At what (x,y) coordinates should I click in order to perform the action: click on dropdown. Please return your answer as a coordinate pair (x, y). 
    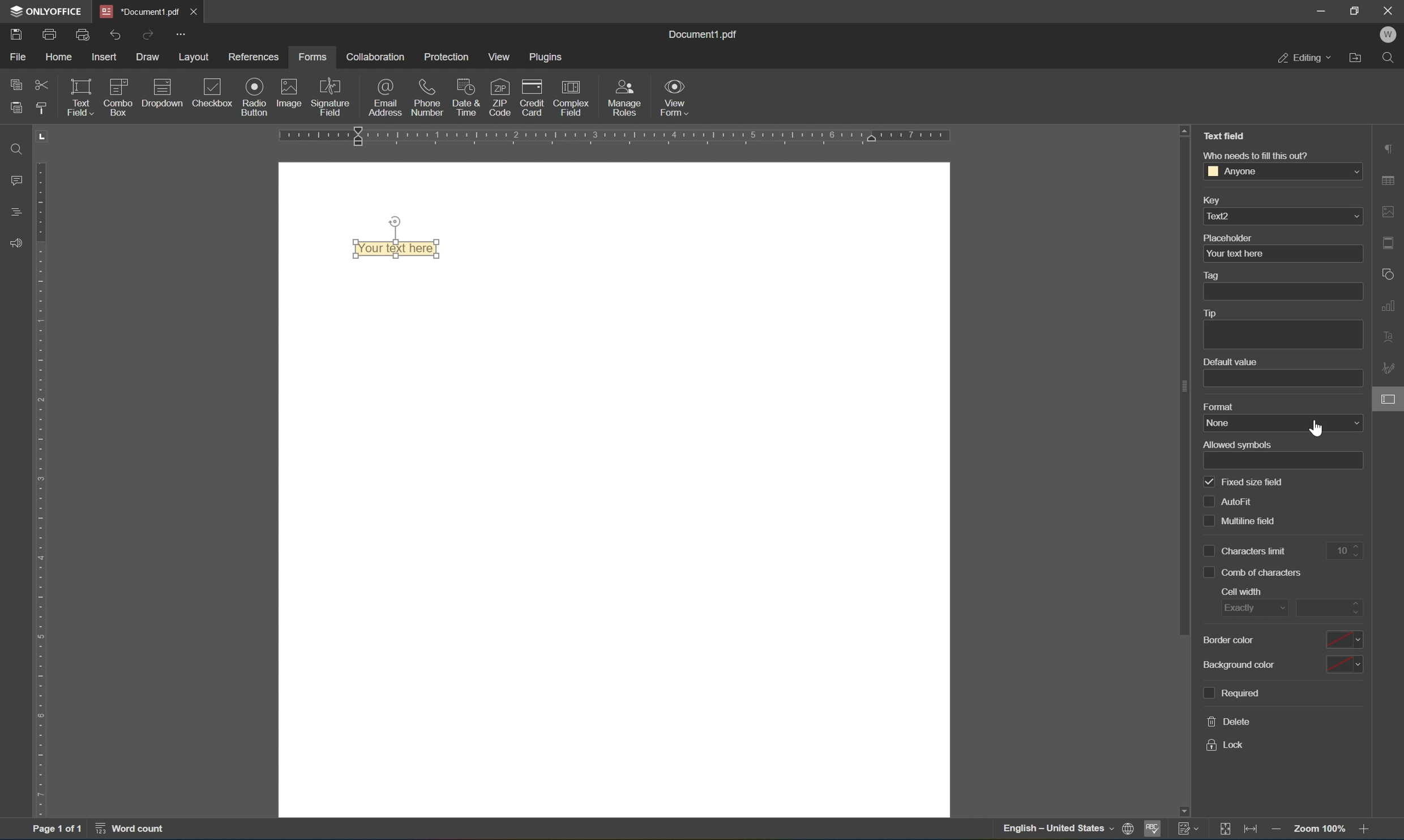
    Looking at the image, I should click on (161, 96).